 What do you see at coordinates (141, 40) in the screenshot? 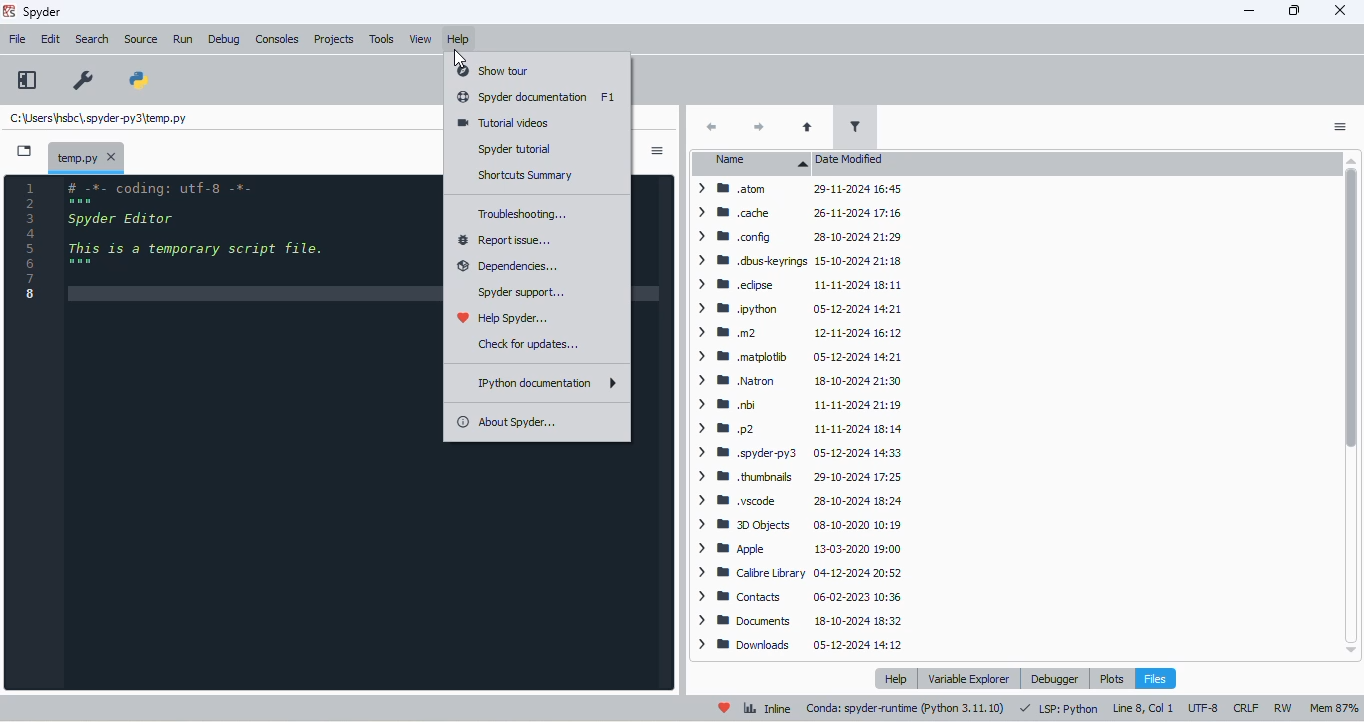
I see `source` at bounding box center [141, 40].